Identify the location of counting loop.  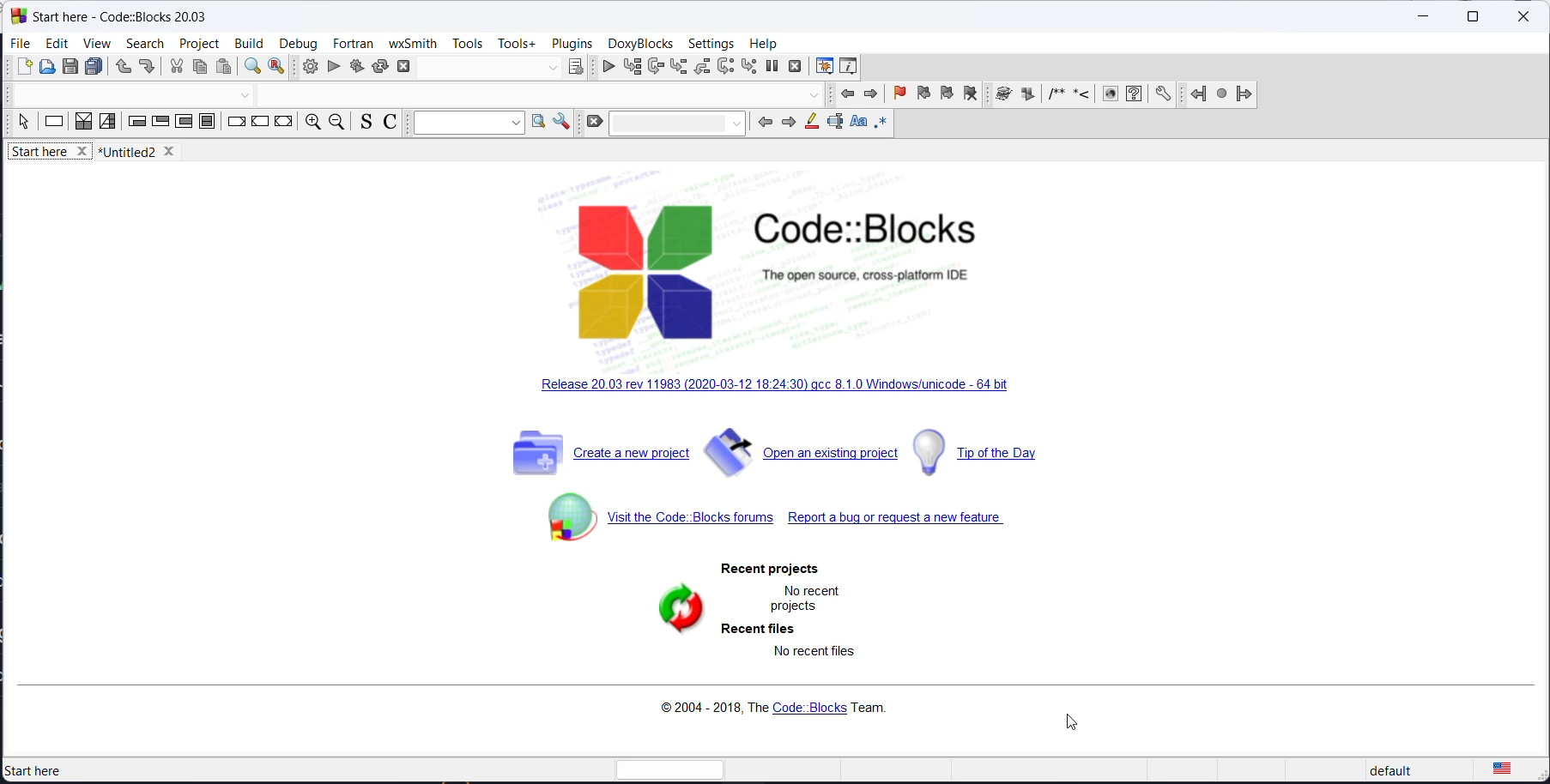
(183, 124).